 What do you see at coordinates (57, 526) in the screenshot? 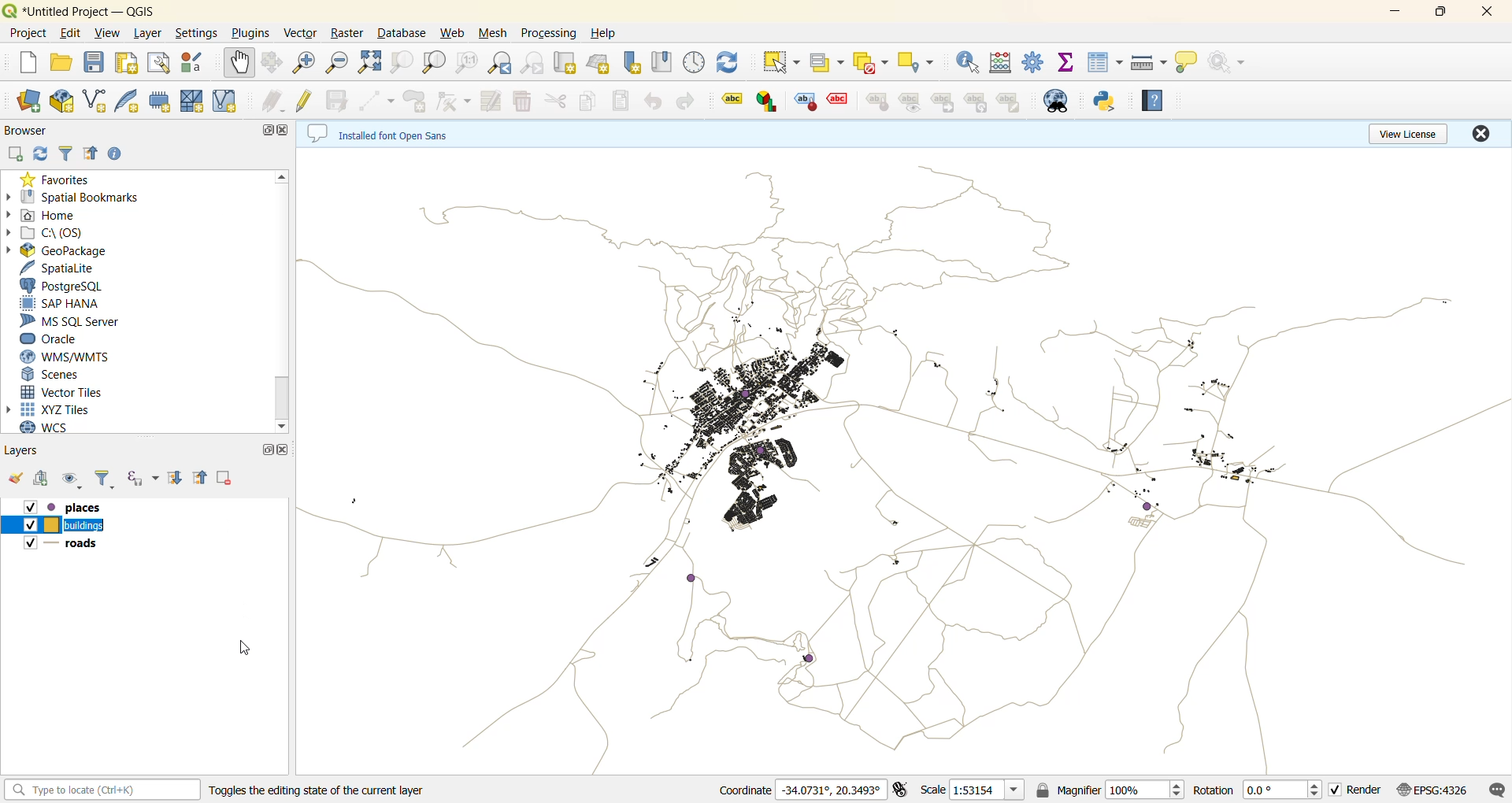
I see `selected layer(buildings)` at bounding box center [57, 526].